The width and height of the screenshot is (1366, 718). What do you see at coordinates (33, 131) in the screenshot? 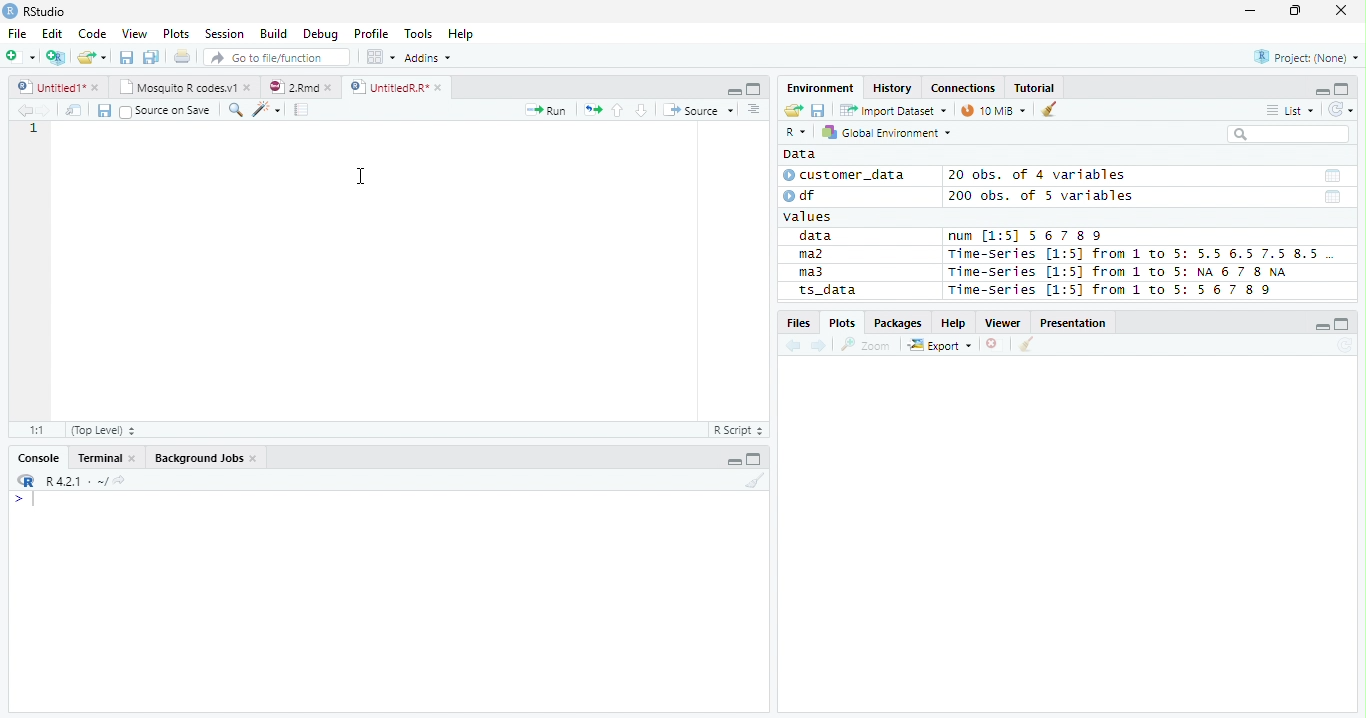
I see `Row Number` at bounding box center [33, 131].